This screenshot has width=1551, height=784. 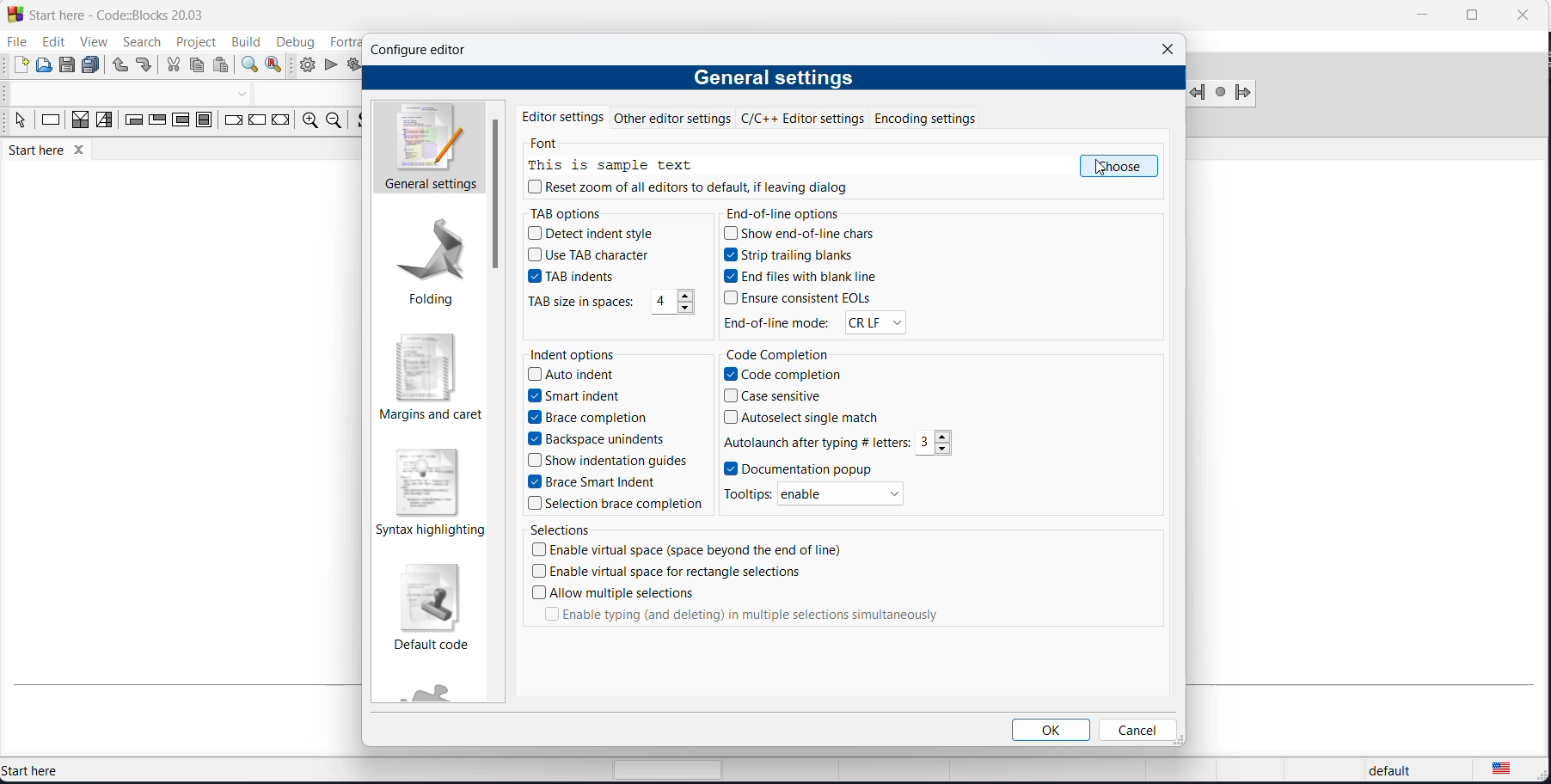 What do you see at coordinates (145, 67) in the screenshot?
I see `redo` at bounding box center [145, 67].